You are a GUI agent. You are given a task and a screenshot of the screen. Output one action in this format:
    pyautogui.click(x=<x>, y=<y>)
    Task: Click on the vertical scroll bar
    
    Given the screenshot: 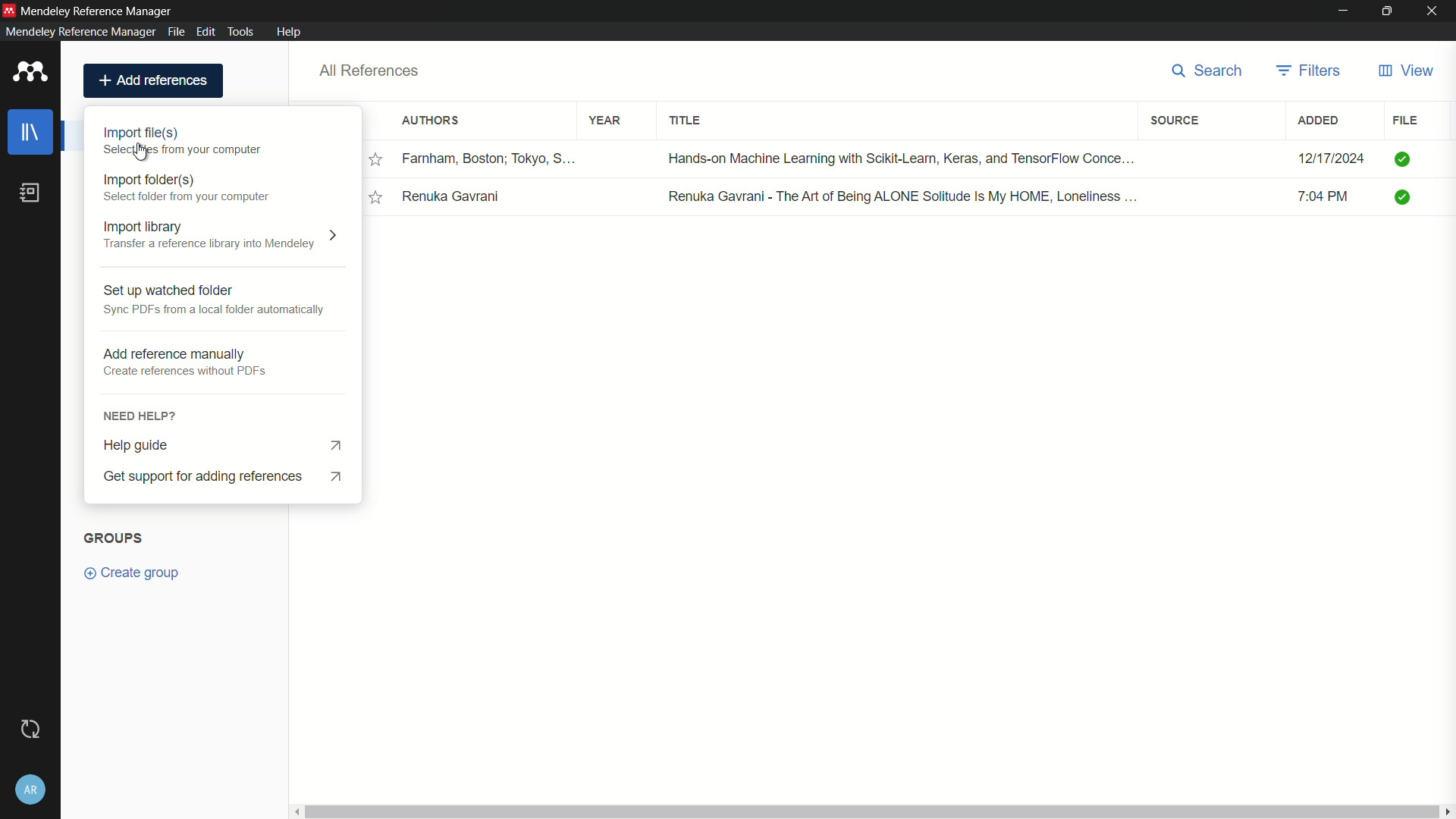 What is the action you would take?
    pyautogui.click(x=870, y=811)
    